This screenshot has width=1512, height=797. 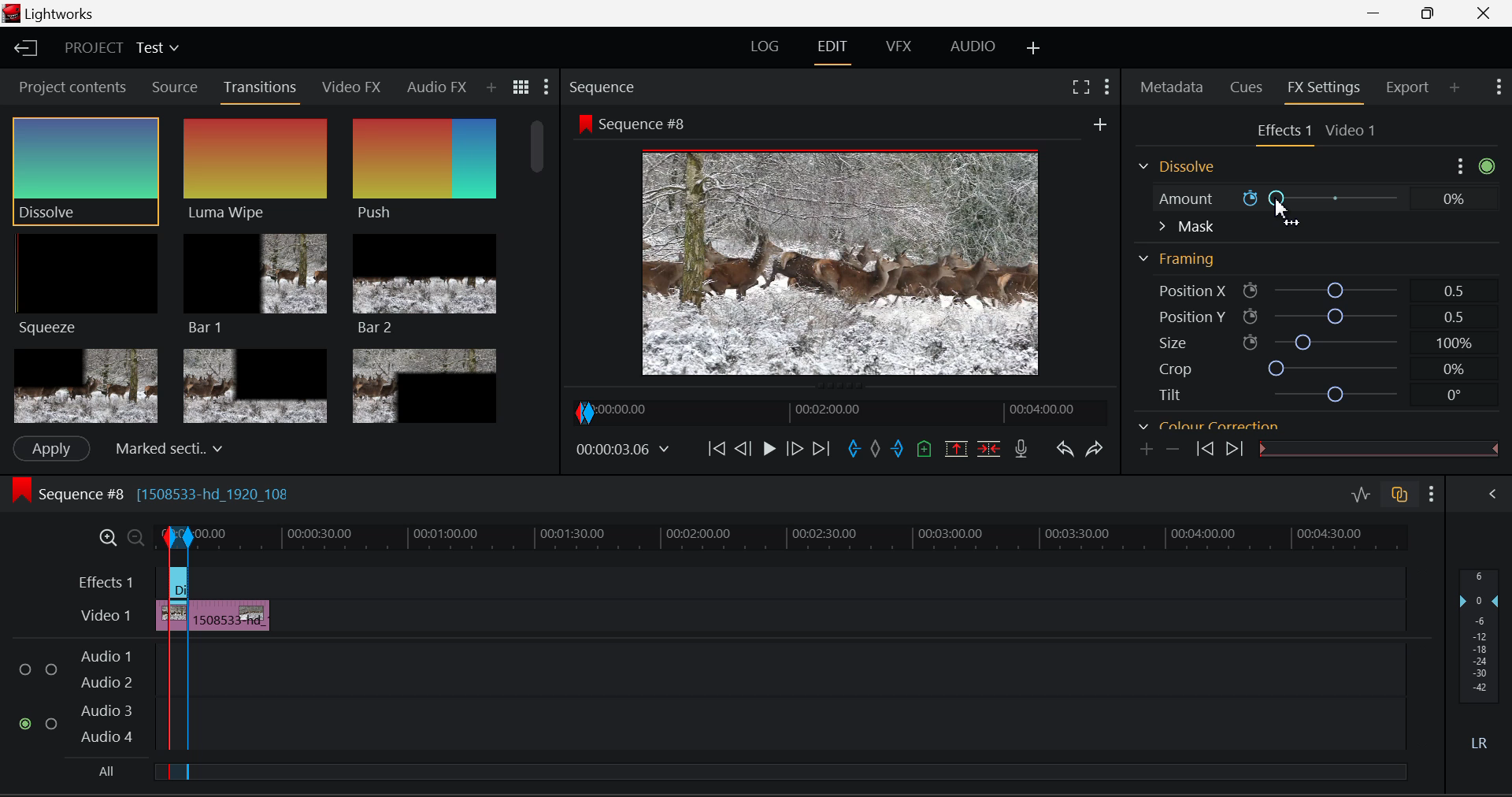 What do you see at coordinates (51, 664) in the screenshot?
I see `Audio Input Checkbox` at bounding box center [51, 664].